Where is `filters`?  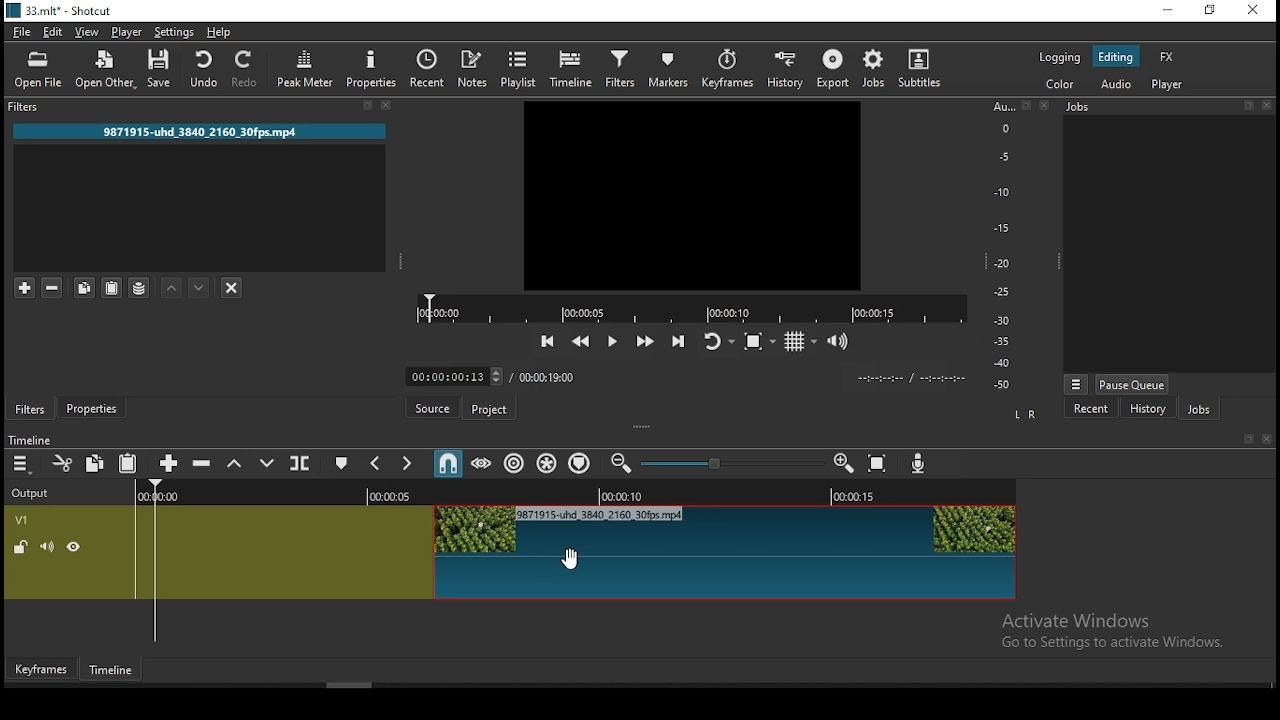
filters is located at coordinates (619, 70).